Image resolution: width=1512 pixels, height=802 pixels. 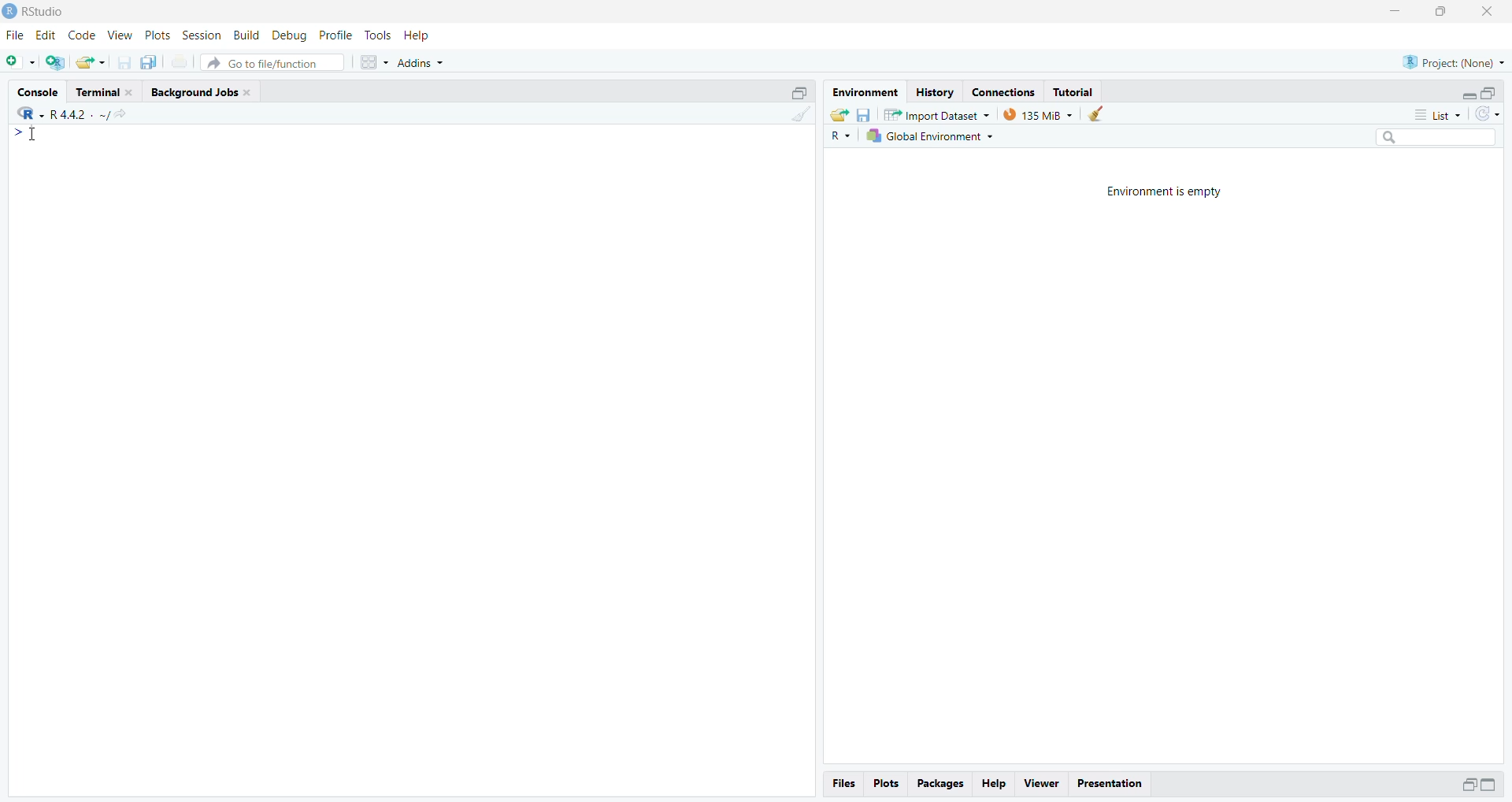 What do you see at coordinates (378, 35) in the screenshot?
I see `Tools` at bounding box center [378, 35].